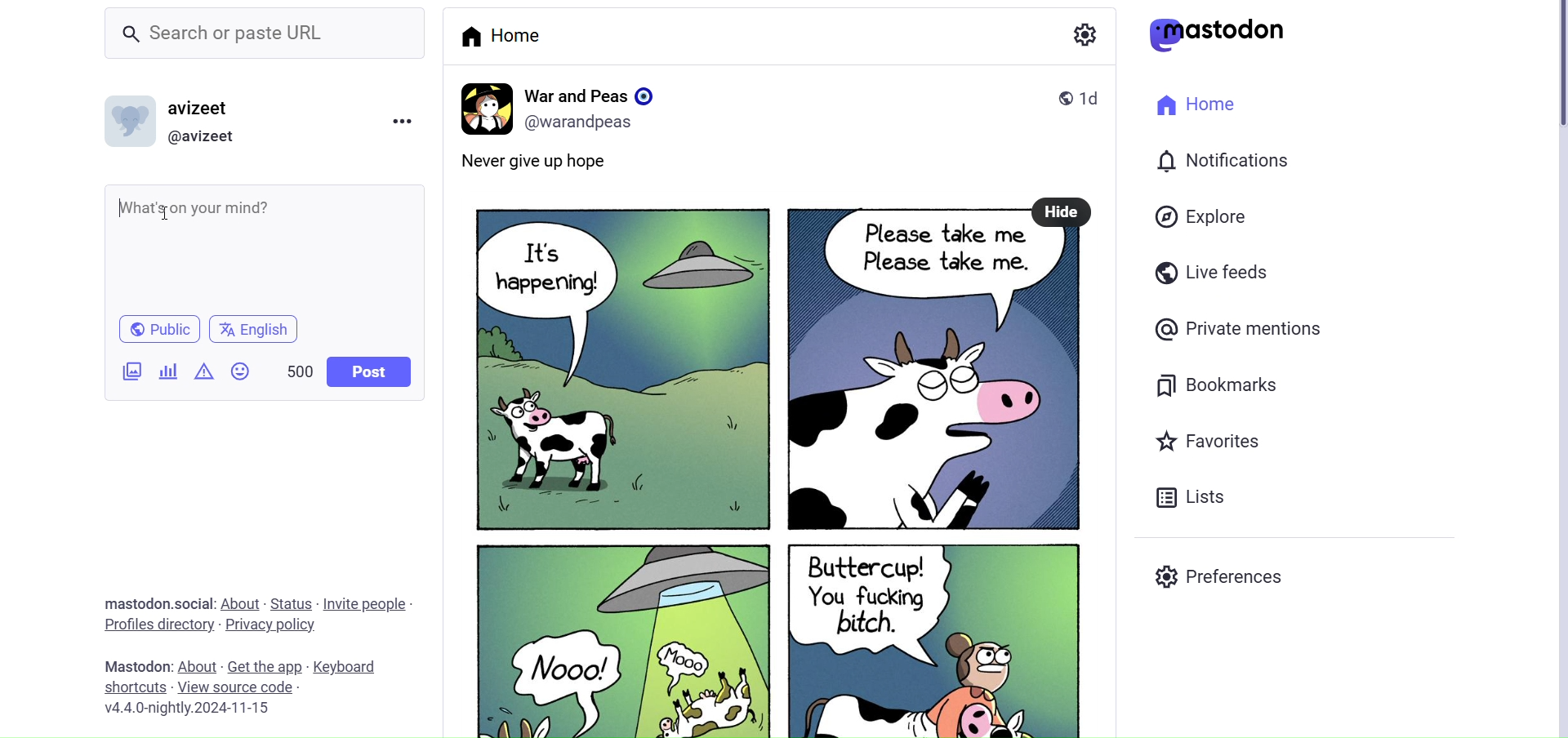 The image size is (1568, 738). Describe the element at coordinates (773, 482) in the screenshot. I see `Post` at that location.